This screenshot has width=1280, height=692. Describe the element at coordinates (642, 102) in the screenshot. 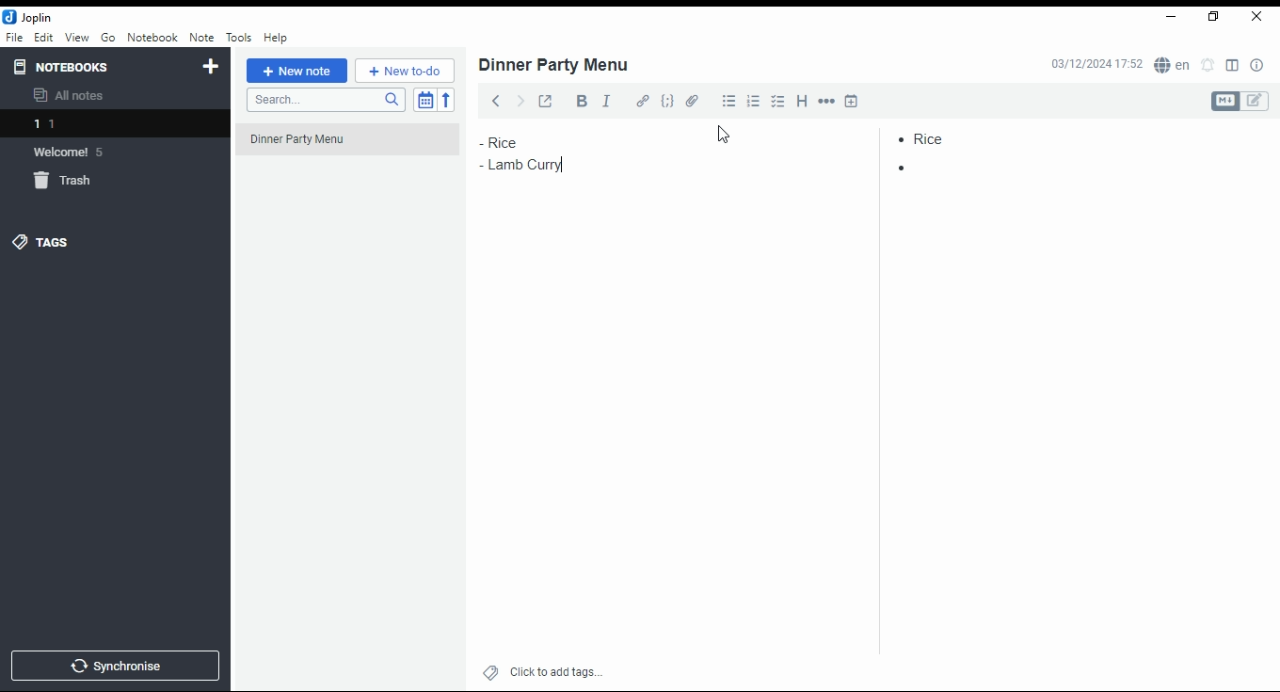

I see `hyperlink` at that location.